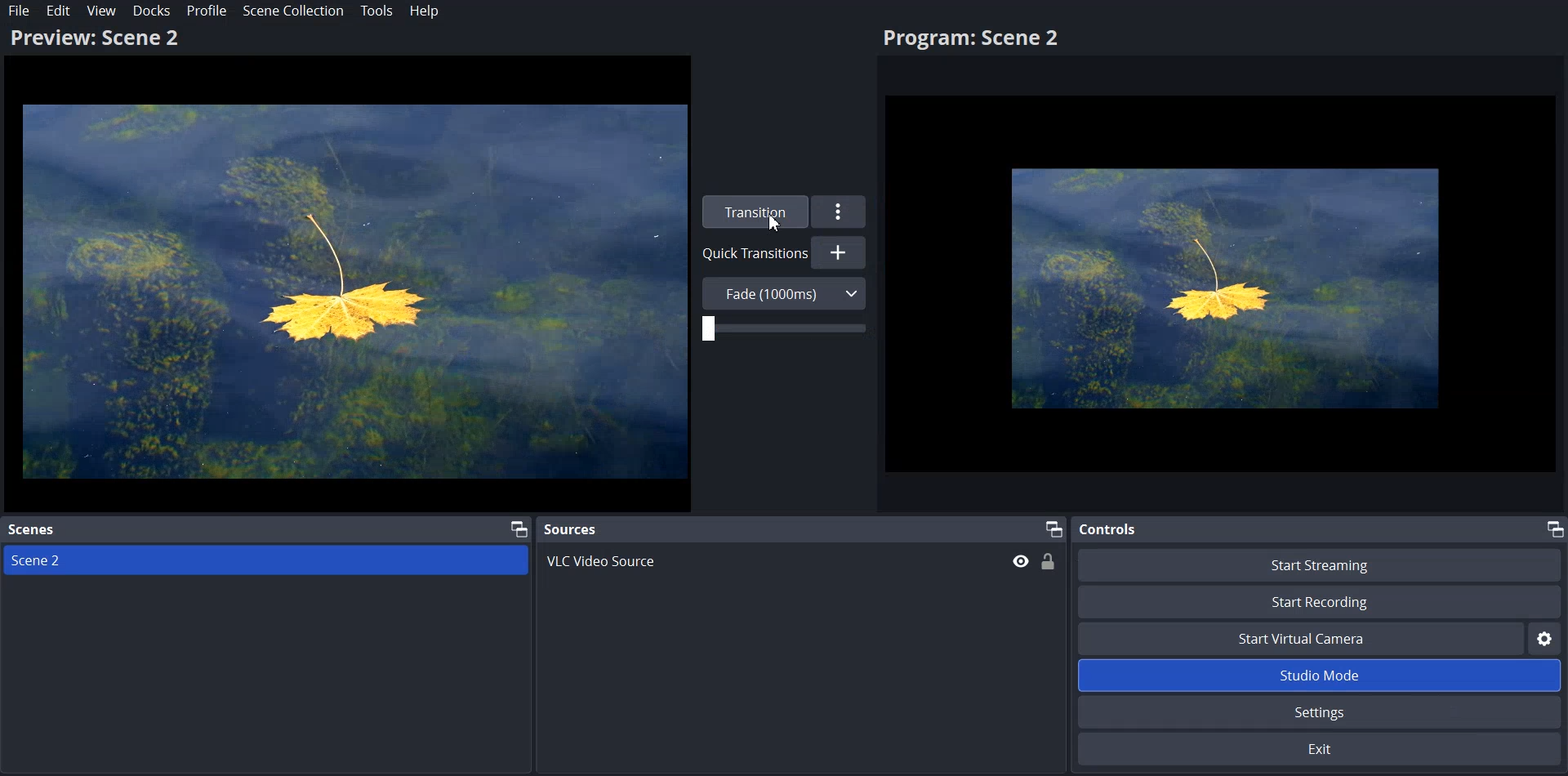  What do you see at coordinates (99, 564) in the screenshot?
I see `Scene` at bounding box center [99, 564].